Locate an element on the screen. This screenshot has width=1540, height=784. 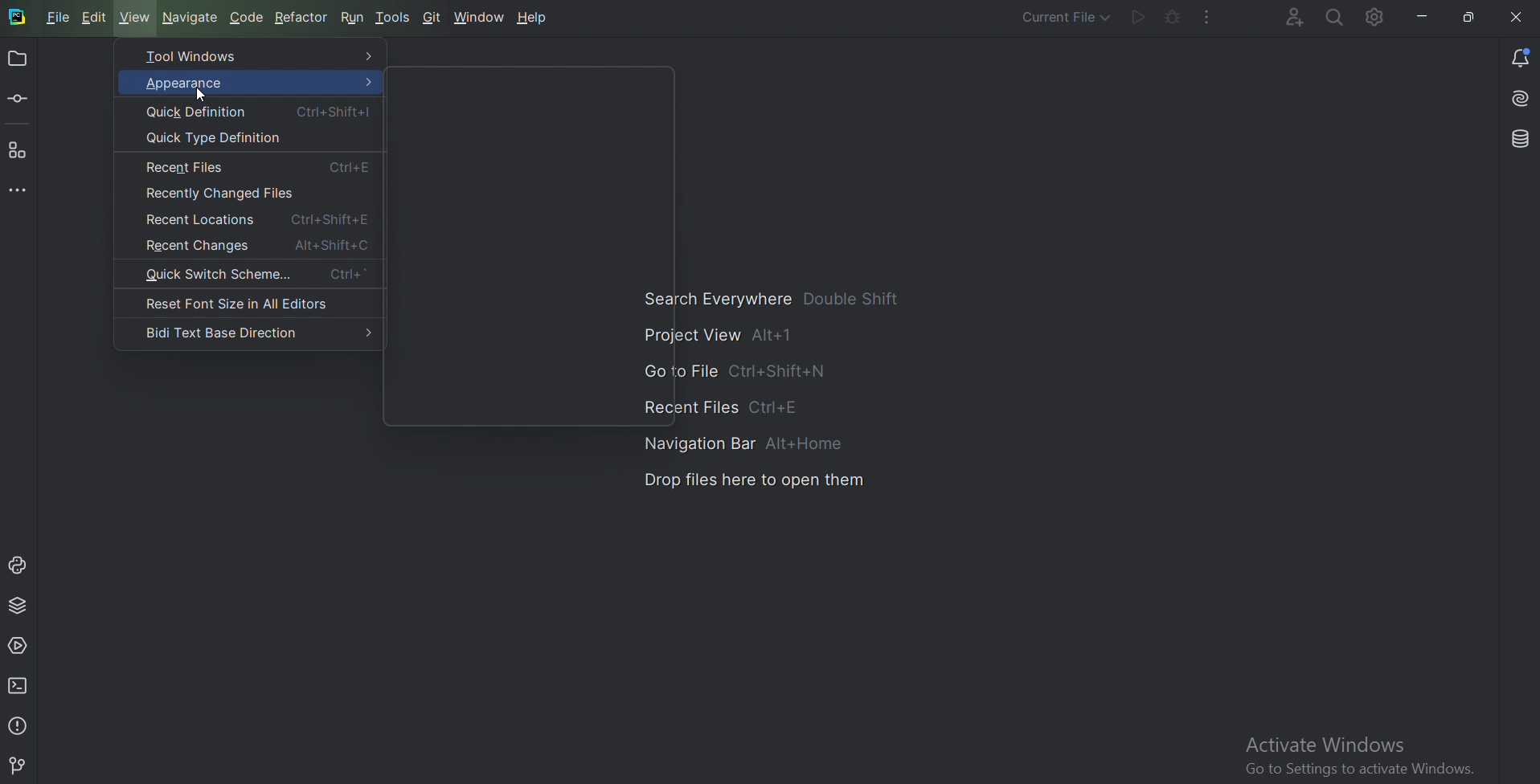
File is located at coordinates (56, 17).